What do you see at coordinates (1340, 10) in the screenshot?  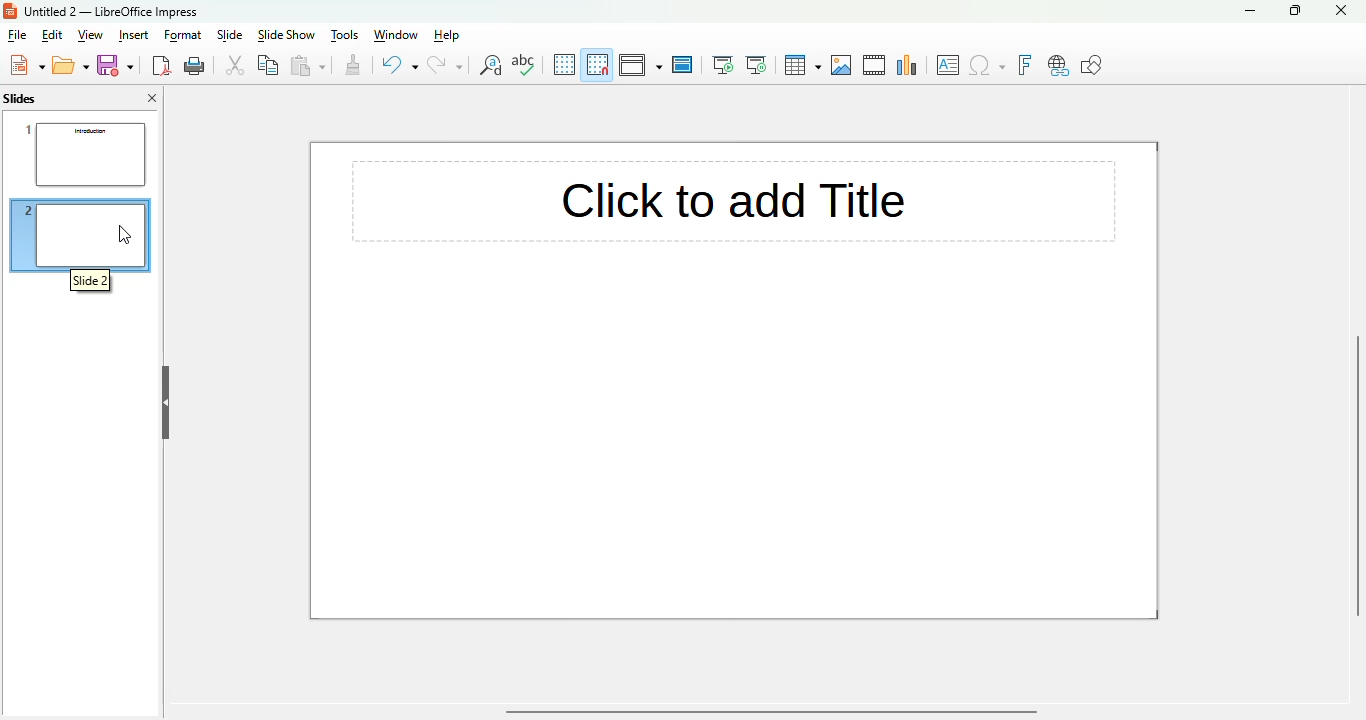 I see `close` at bounding box center [1340, 10].